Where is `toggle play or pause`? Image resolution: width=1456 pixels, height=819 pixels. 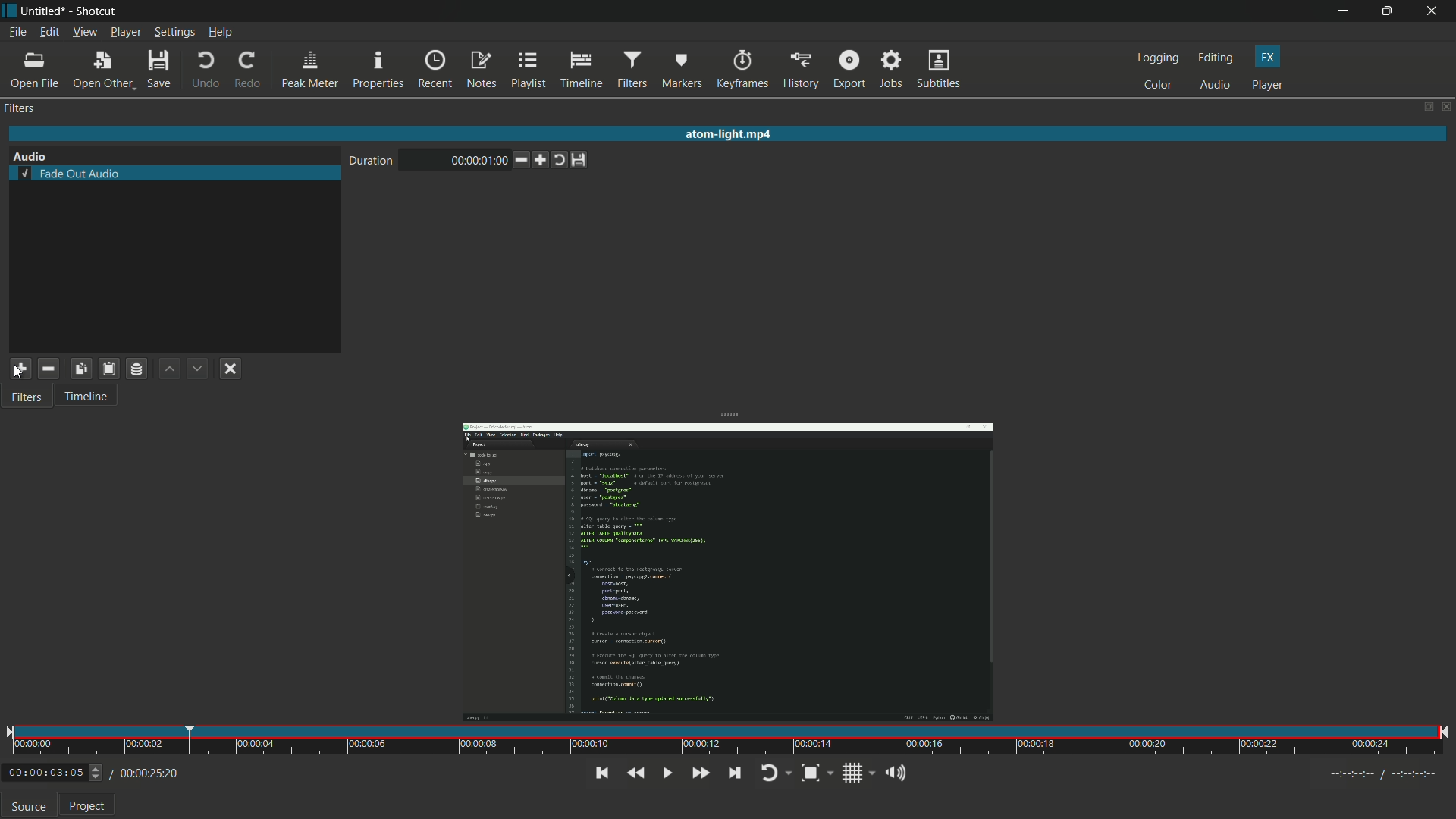
toggle play or pause is located at coordinates (667, 773).